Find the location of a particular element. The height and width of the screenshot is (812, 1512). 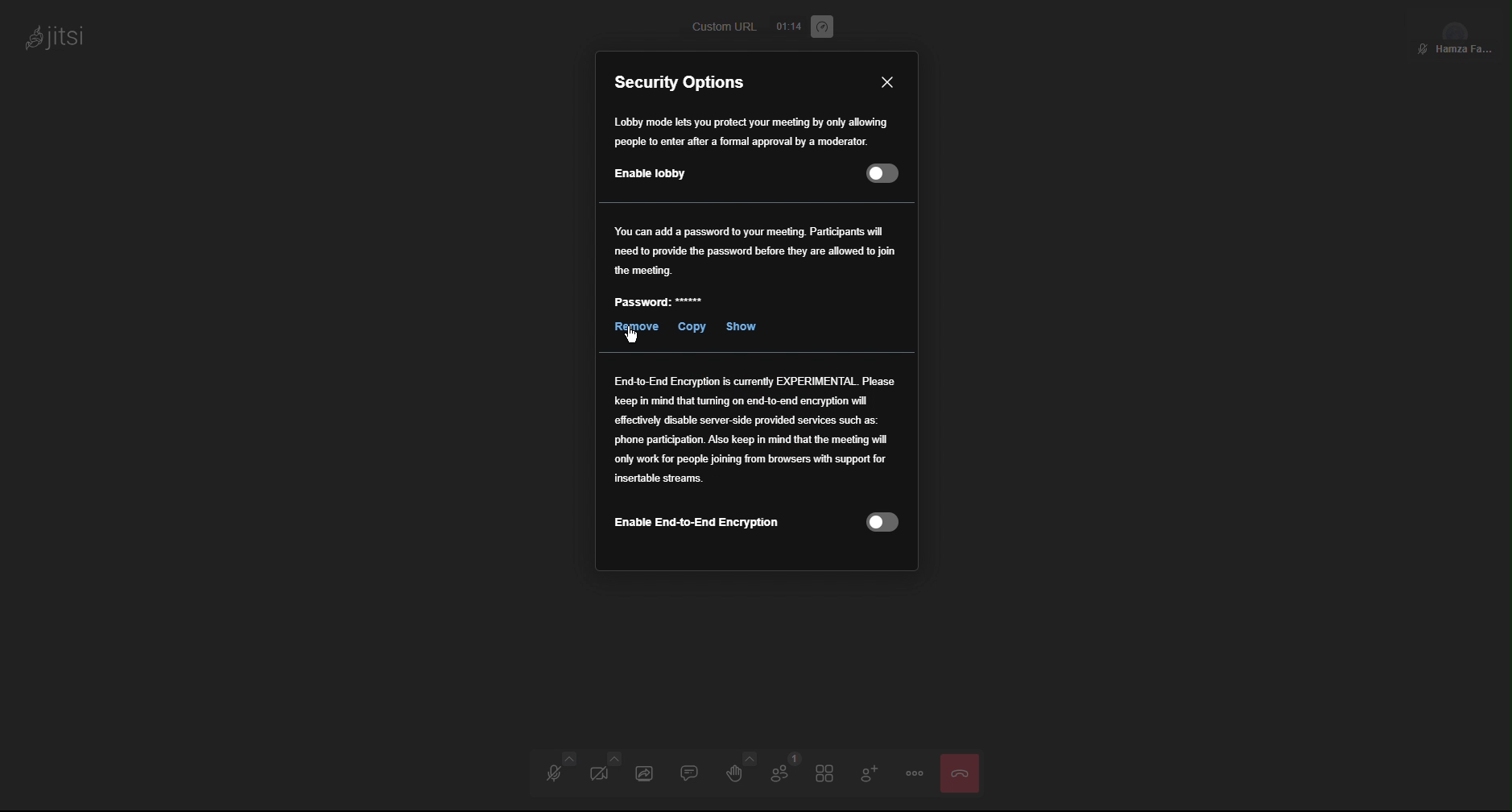

Lobby mode lets you protect your meeting by only allowing people to only enter after approval from a moderator is located at coordinates (752, 132).